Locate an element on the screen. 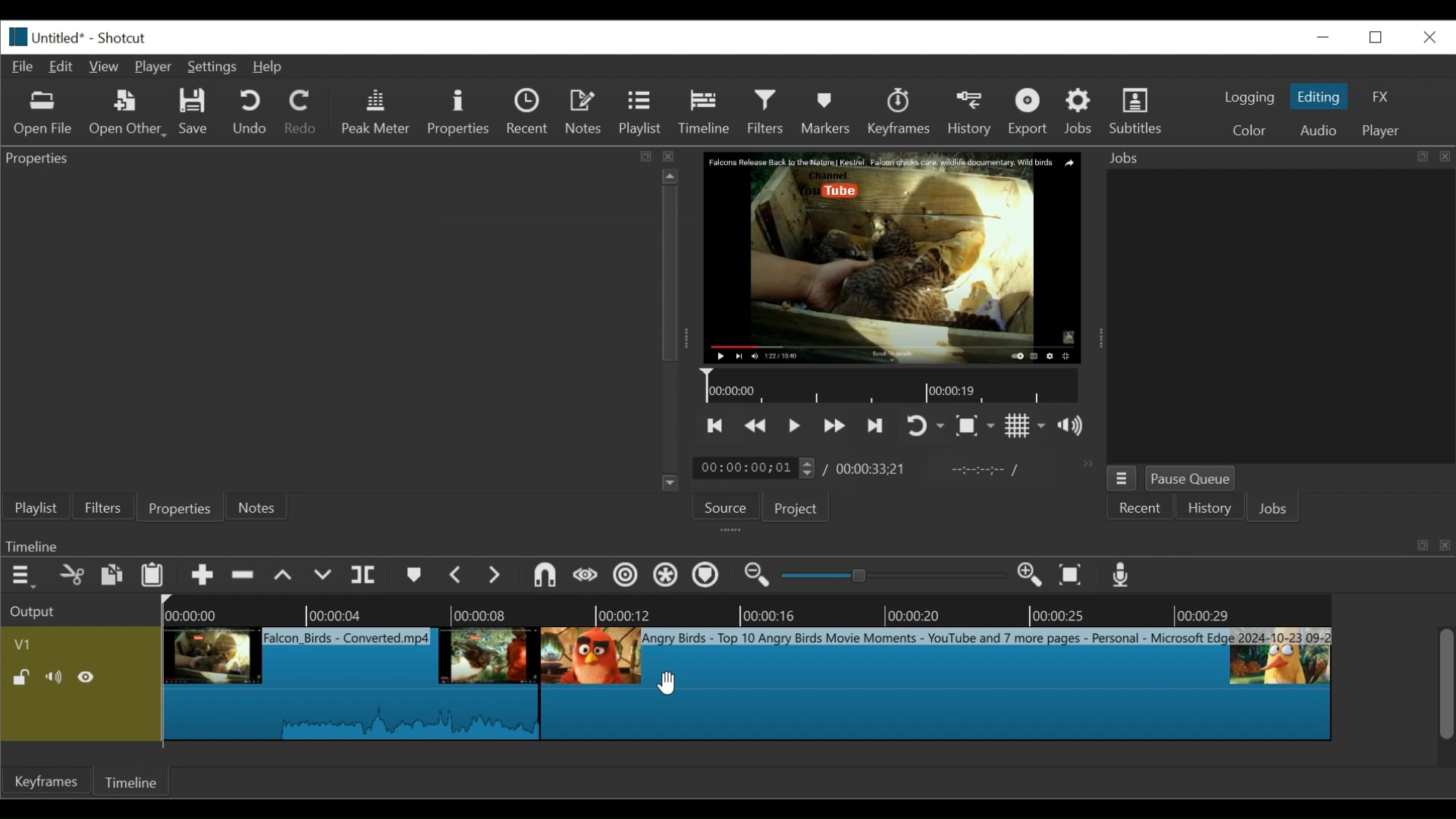  Ripple is located at coordinates (625, 576).